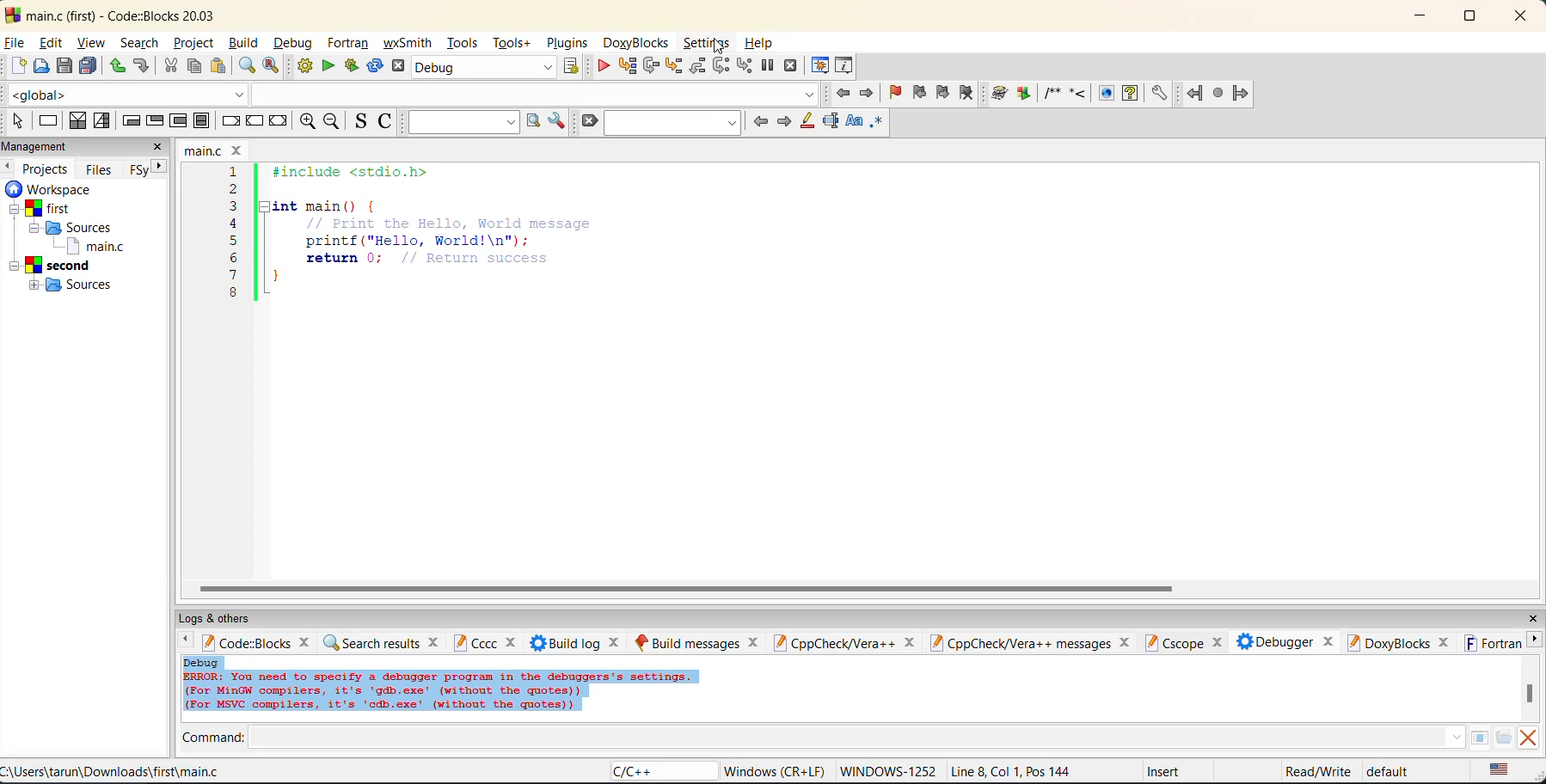 This screenshot has width=1546, height=784. I want to click on jump back, so click(1195, 95).